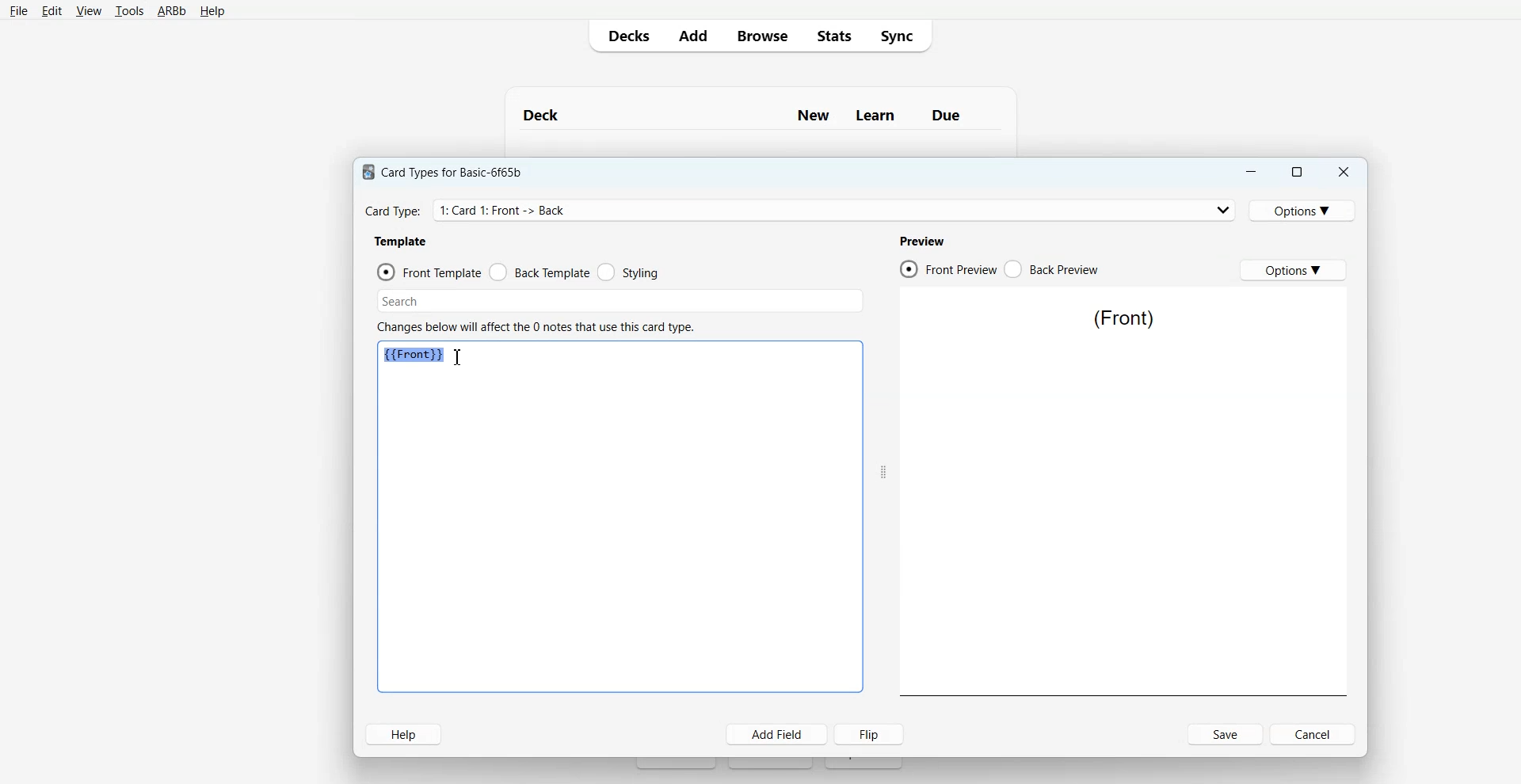 The width and height of the screenshot is (1521, 784). I want to click on Back Template, so click(540, 271).